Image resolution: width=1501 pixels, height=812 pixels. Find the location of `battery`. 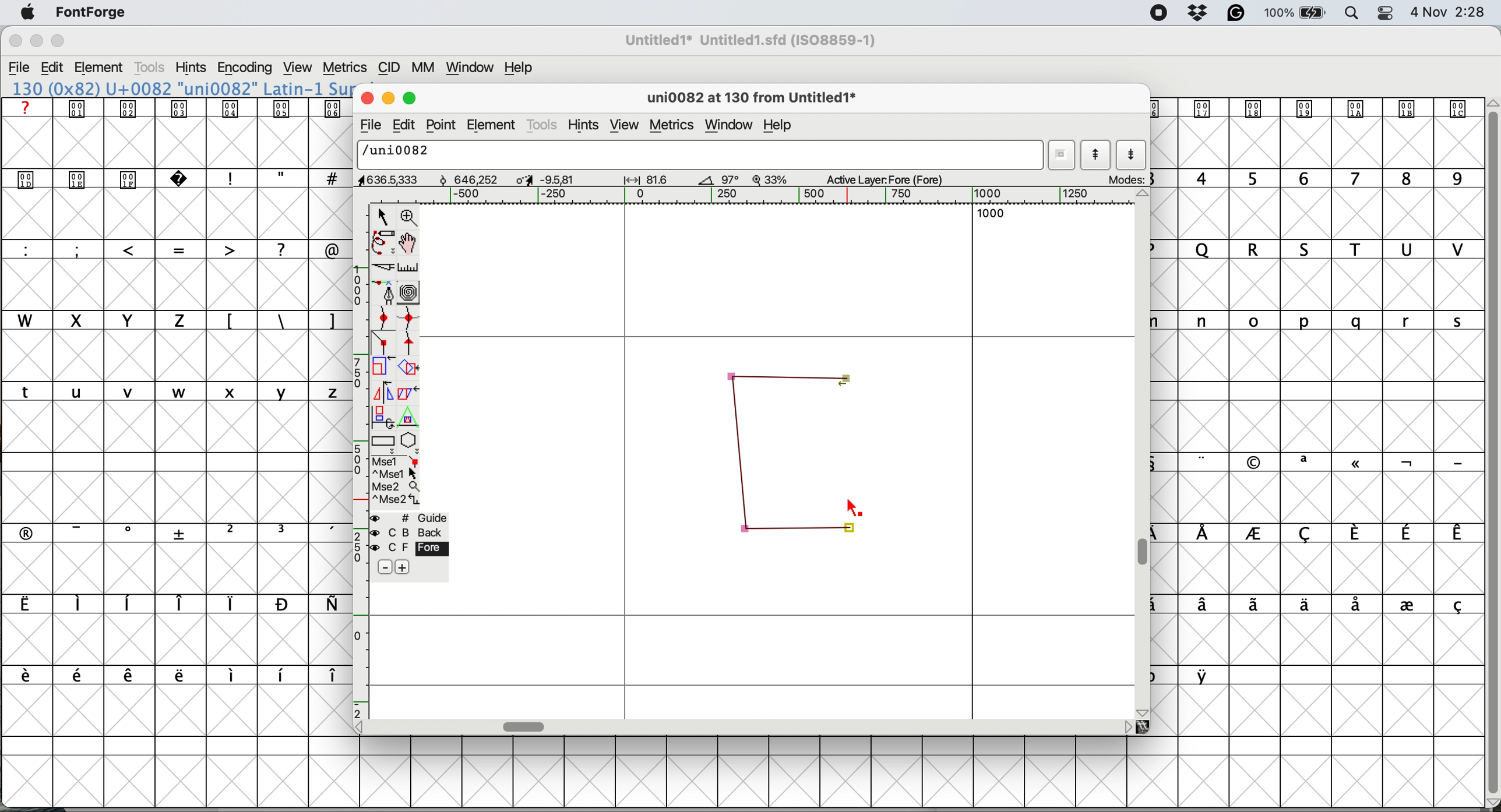

battery is located at coordinates (1294, 13).